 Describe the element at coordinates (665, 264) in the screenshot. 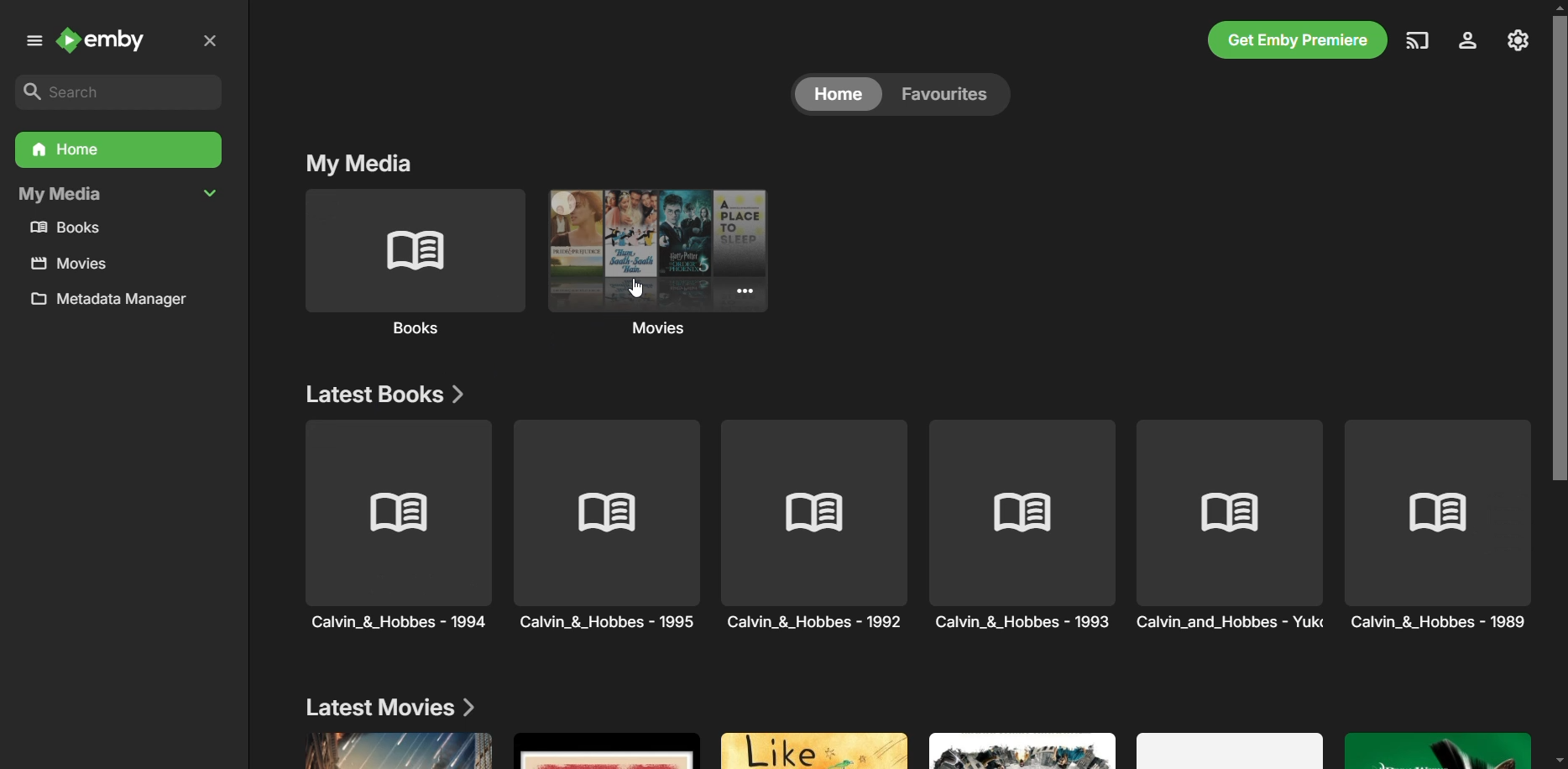

I see `Movies` at that location.